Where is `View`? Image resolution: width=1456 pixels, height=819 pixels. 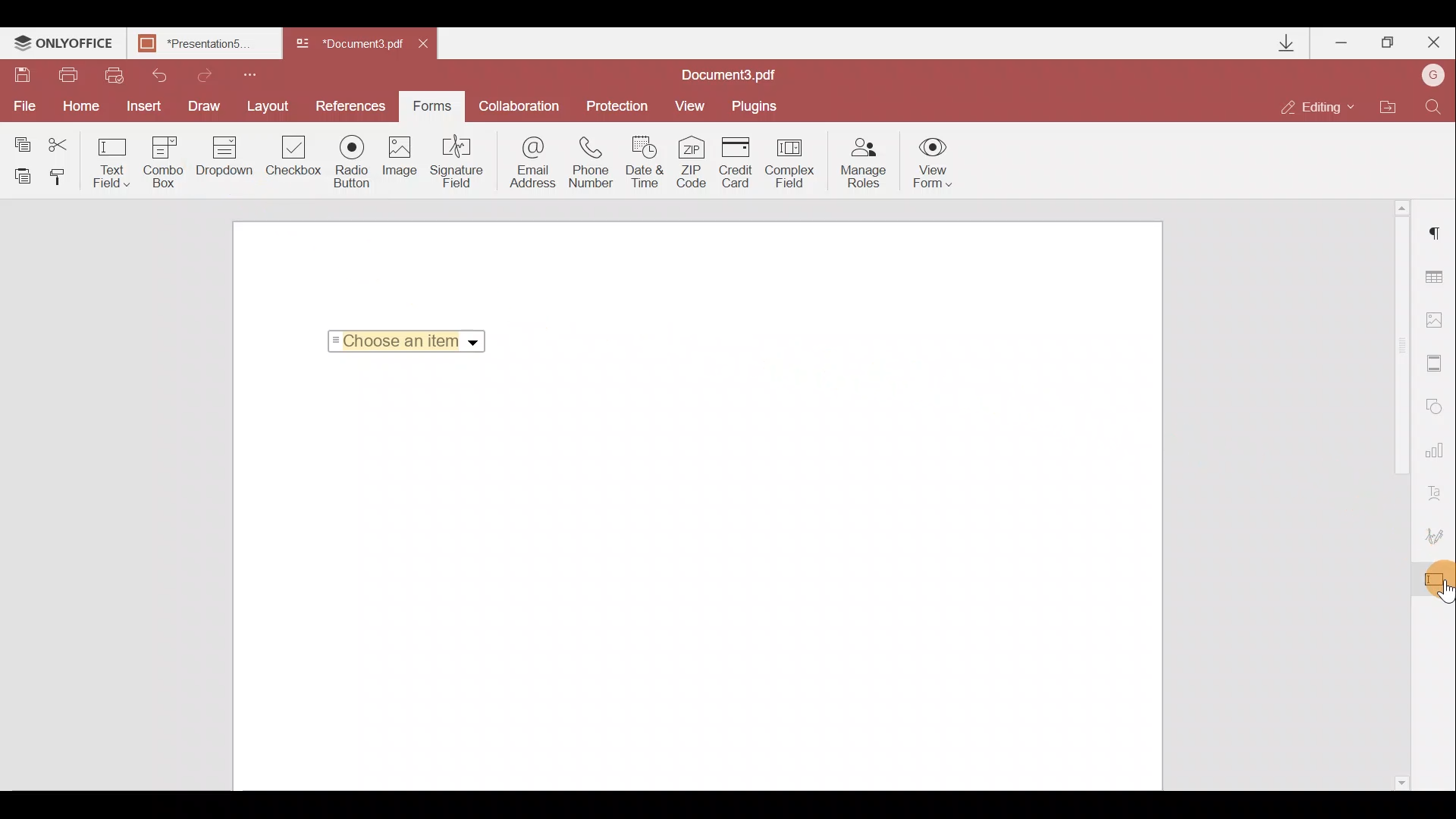 View is located at coordinates (695, 106).